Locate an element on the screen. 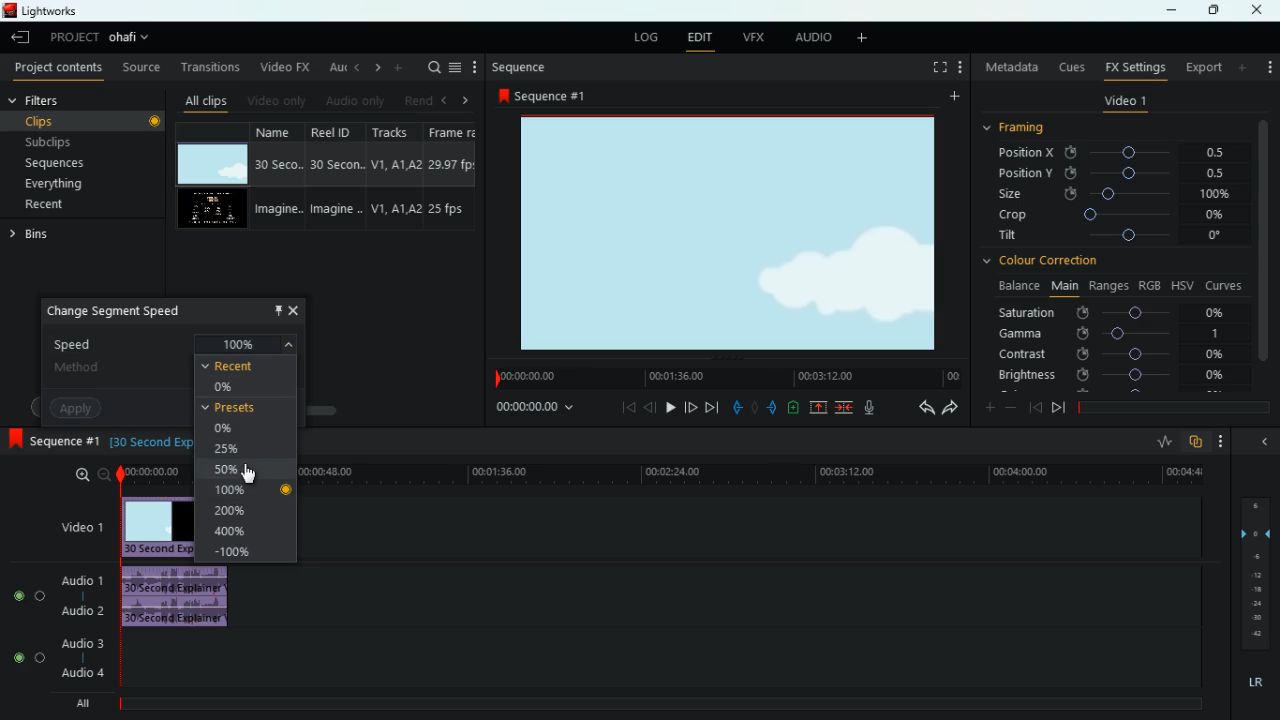 This screenshot has width=1280, height=720. 50 is located at coordinates (237, 472).